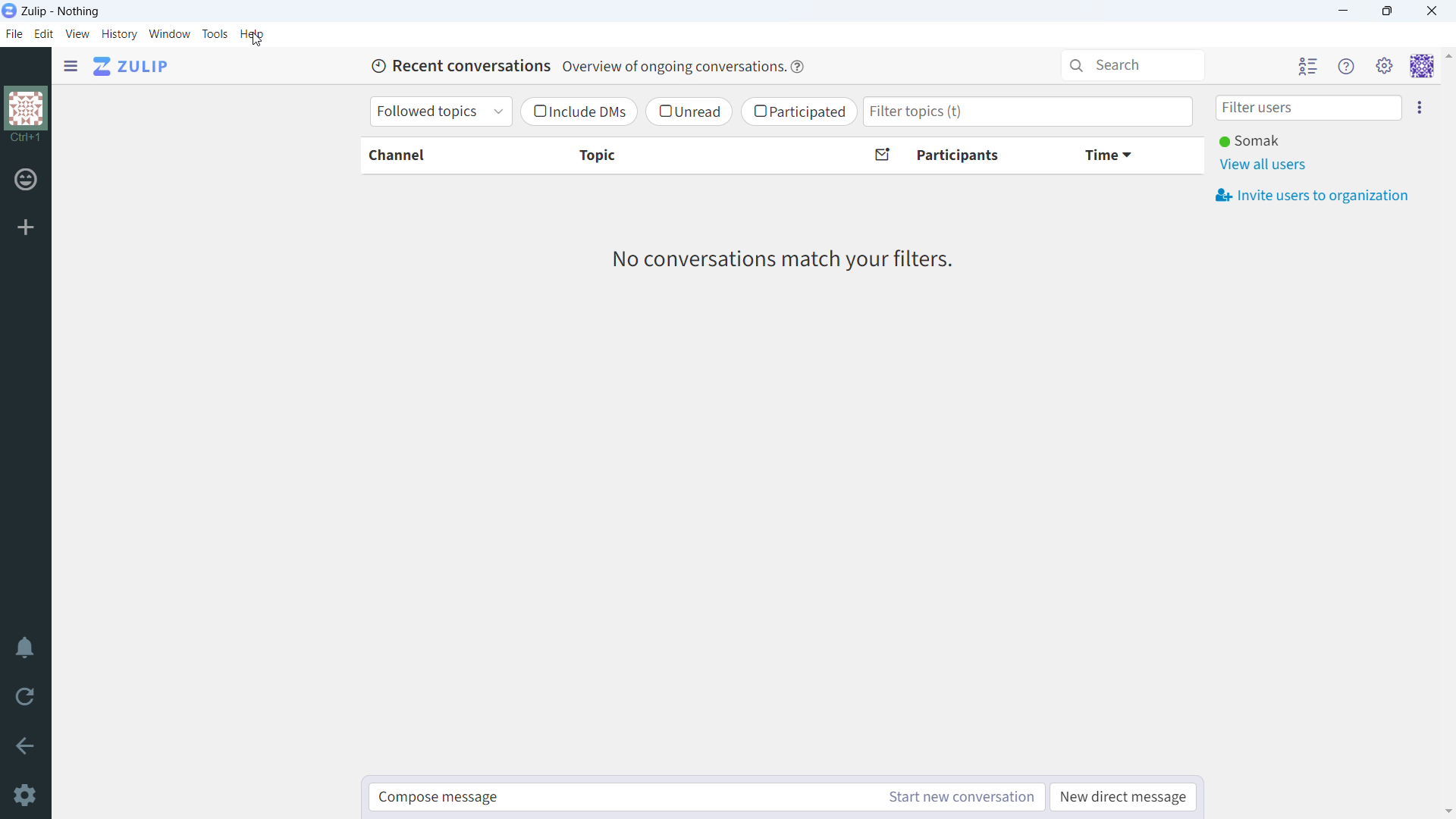 This screenshot has width=1456, height=819. I want to click on help, so click(253, 33).